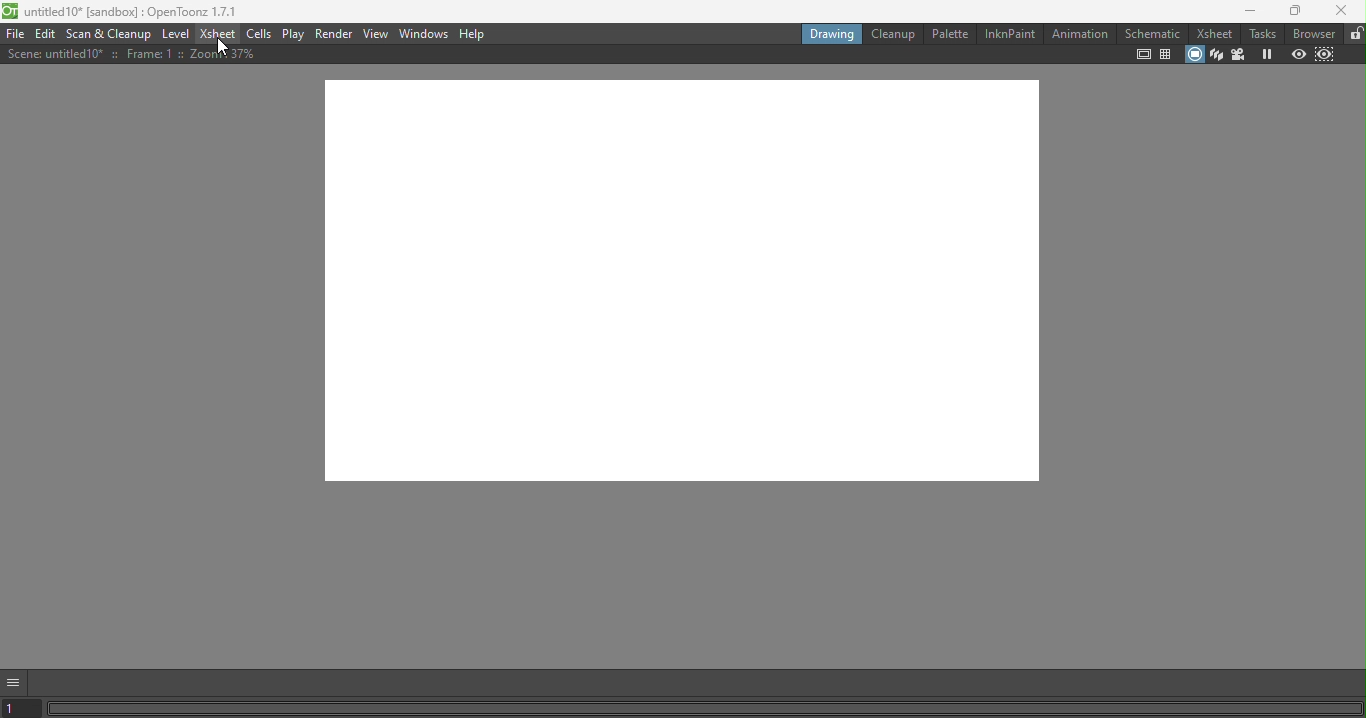  I want to click on cursor, so click(220, 45).